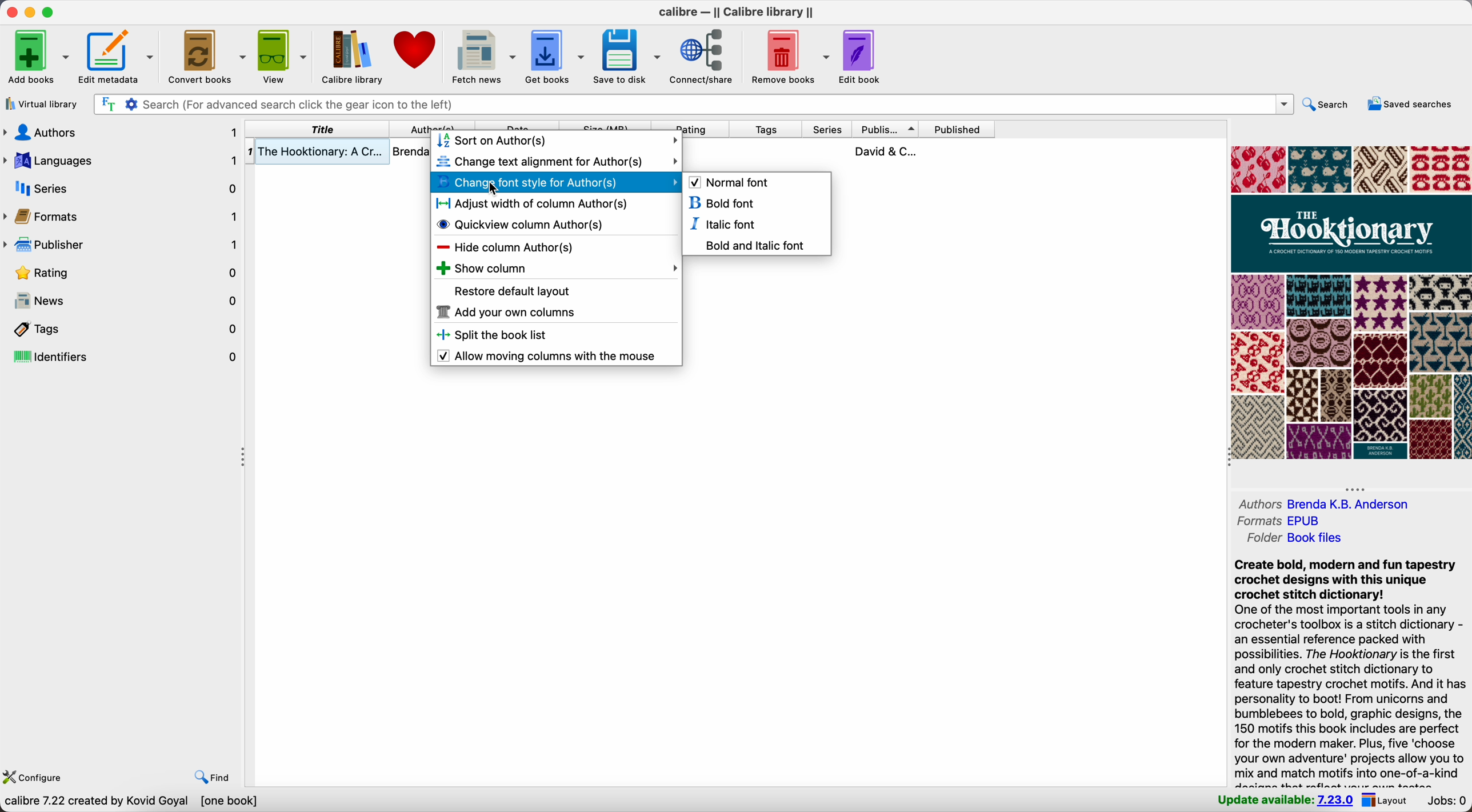  I want to click on search, so click(1330, 105).